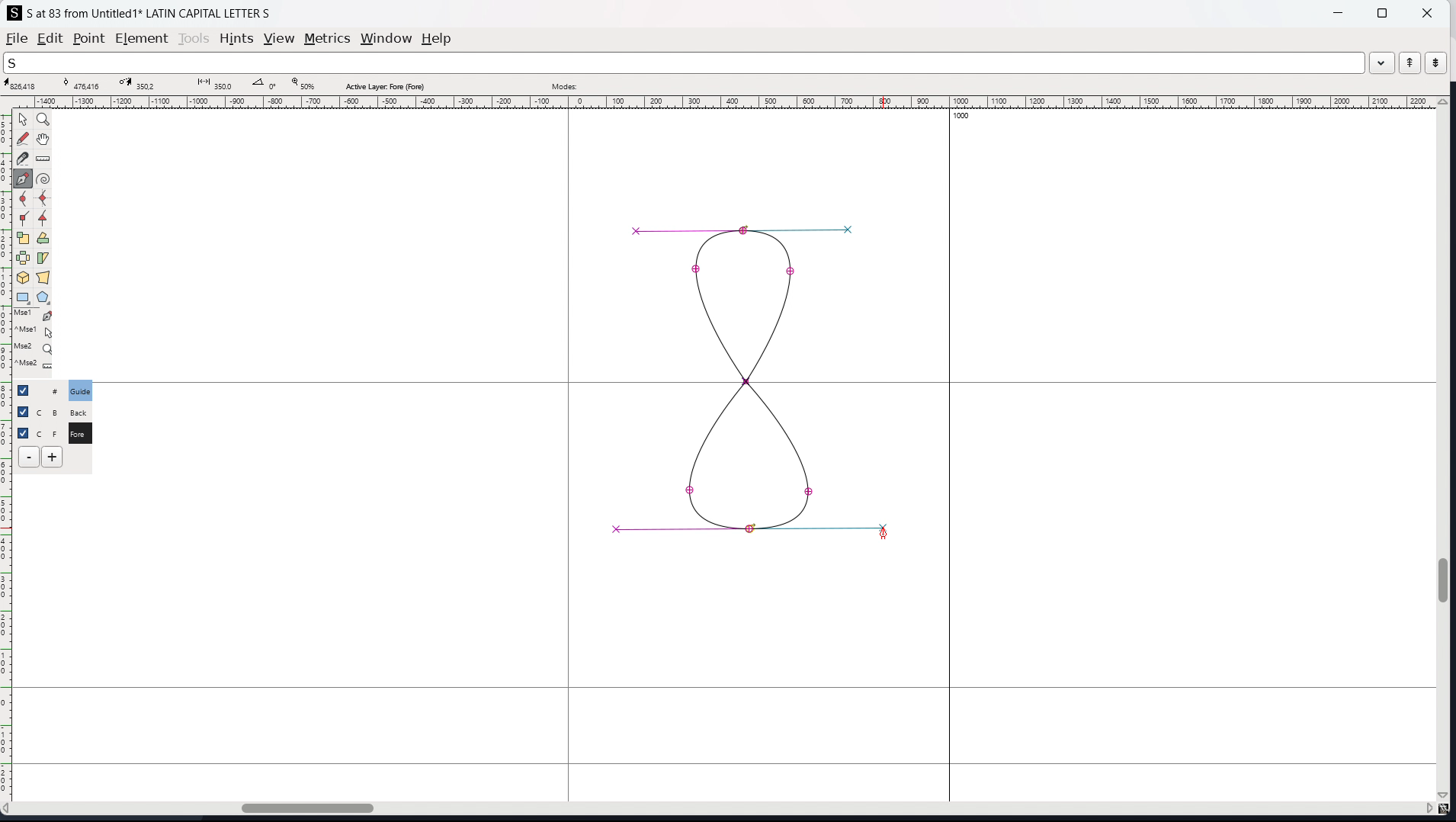 The height and width of the screenshot is (822, 1456). What do you see at coordinates (24, 239) in the screenshot?
I see `scale the selection` at bounding box center [24, 239].